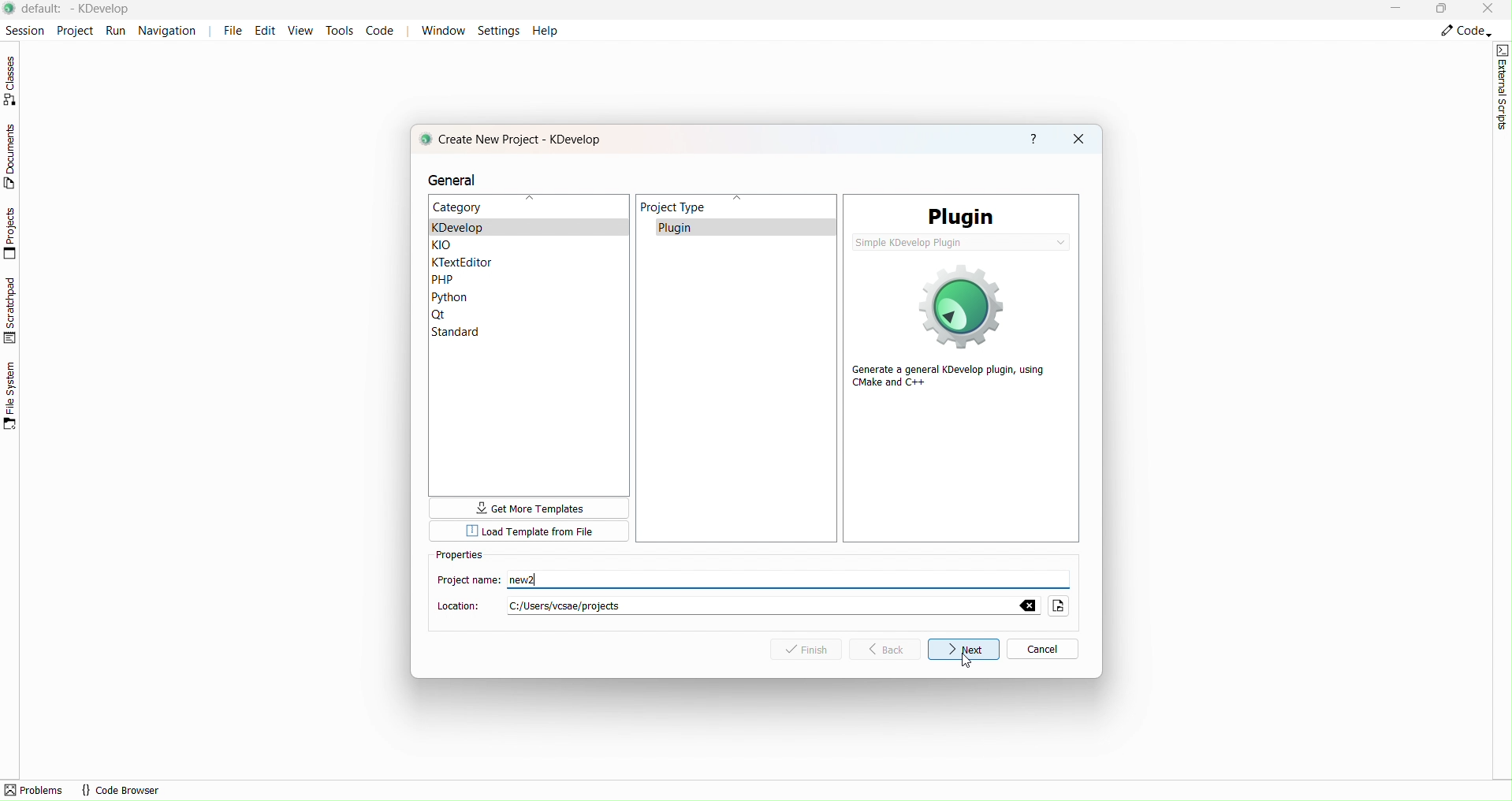  Describe the element at coordinates (960, 242) in the screenshot. I see `simple KDevelop plugin` at that location.